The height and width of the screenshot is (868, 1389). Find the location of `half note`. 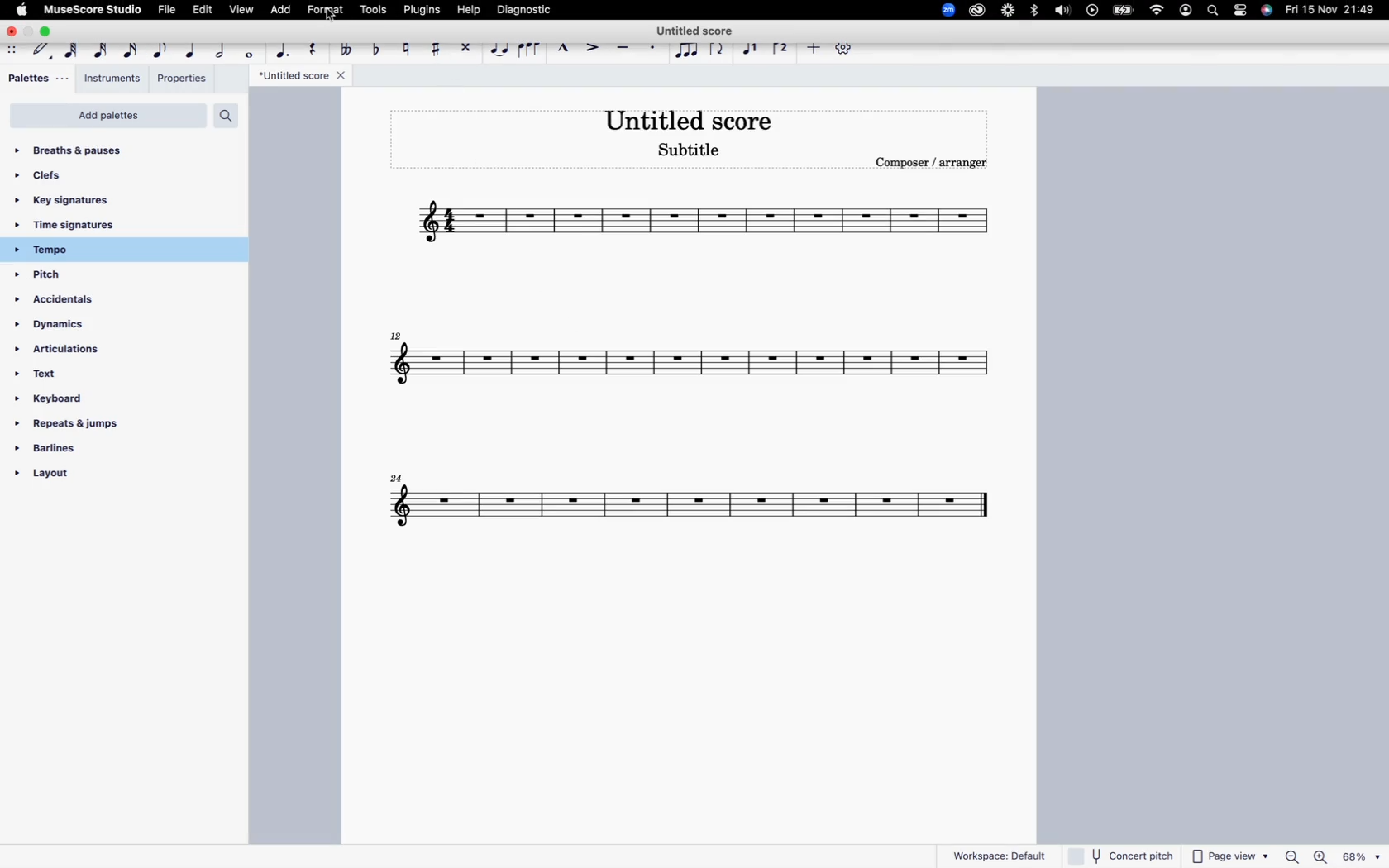

half note is located at coordinates (222, 48).